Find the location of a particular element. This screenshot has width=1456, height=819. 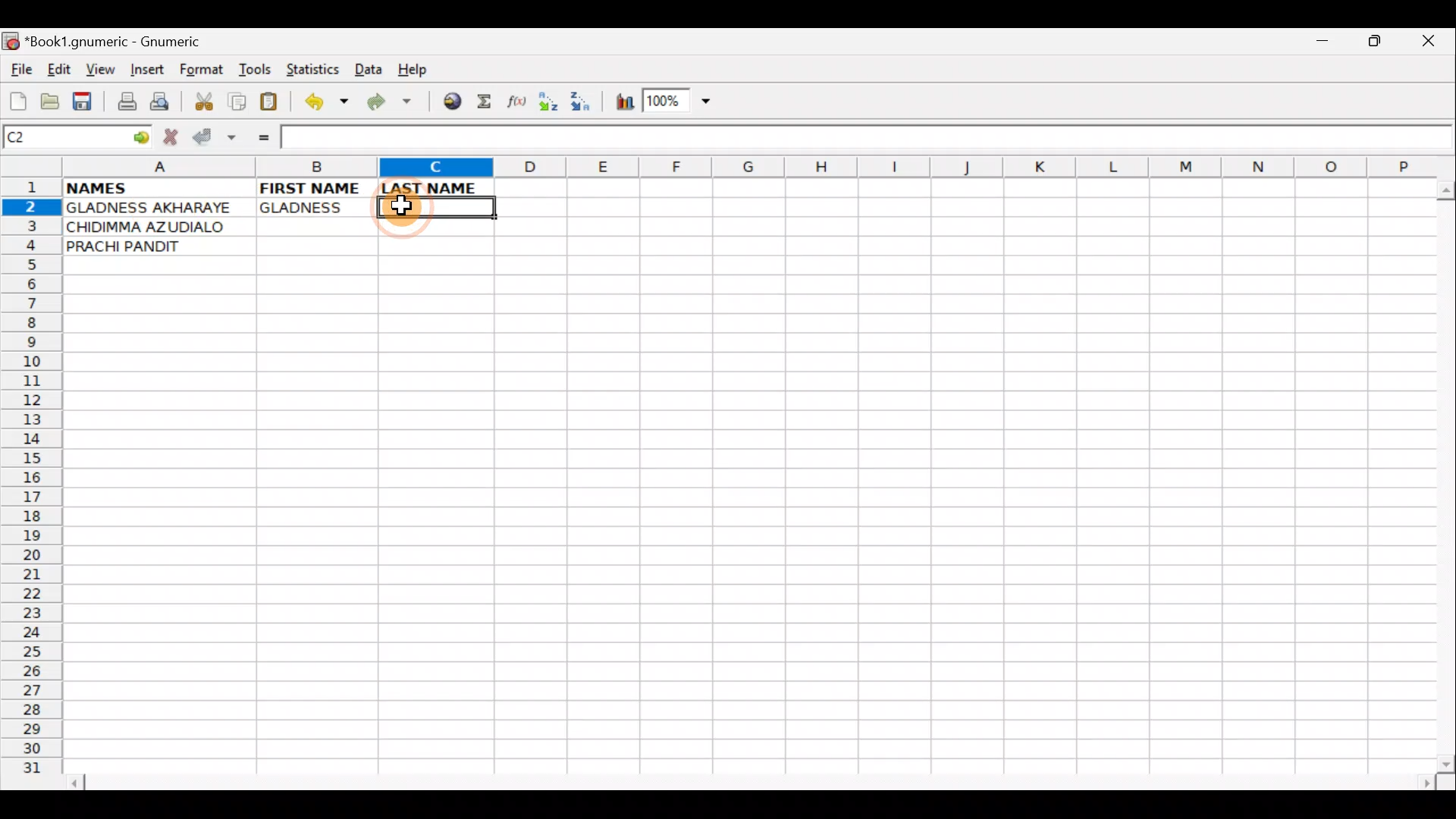

Scroll bar is located at coordinates (1442, 473).